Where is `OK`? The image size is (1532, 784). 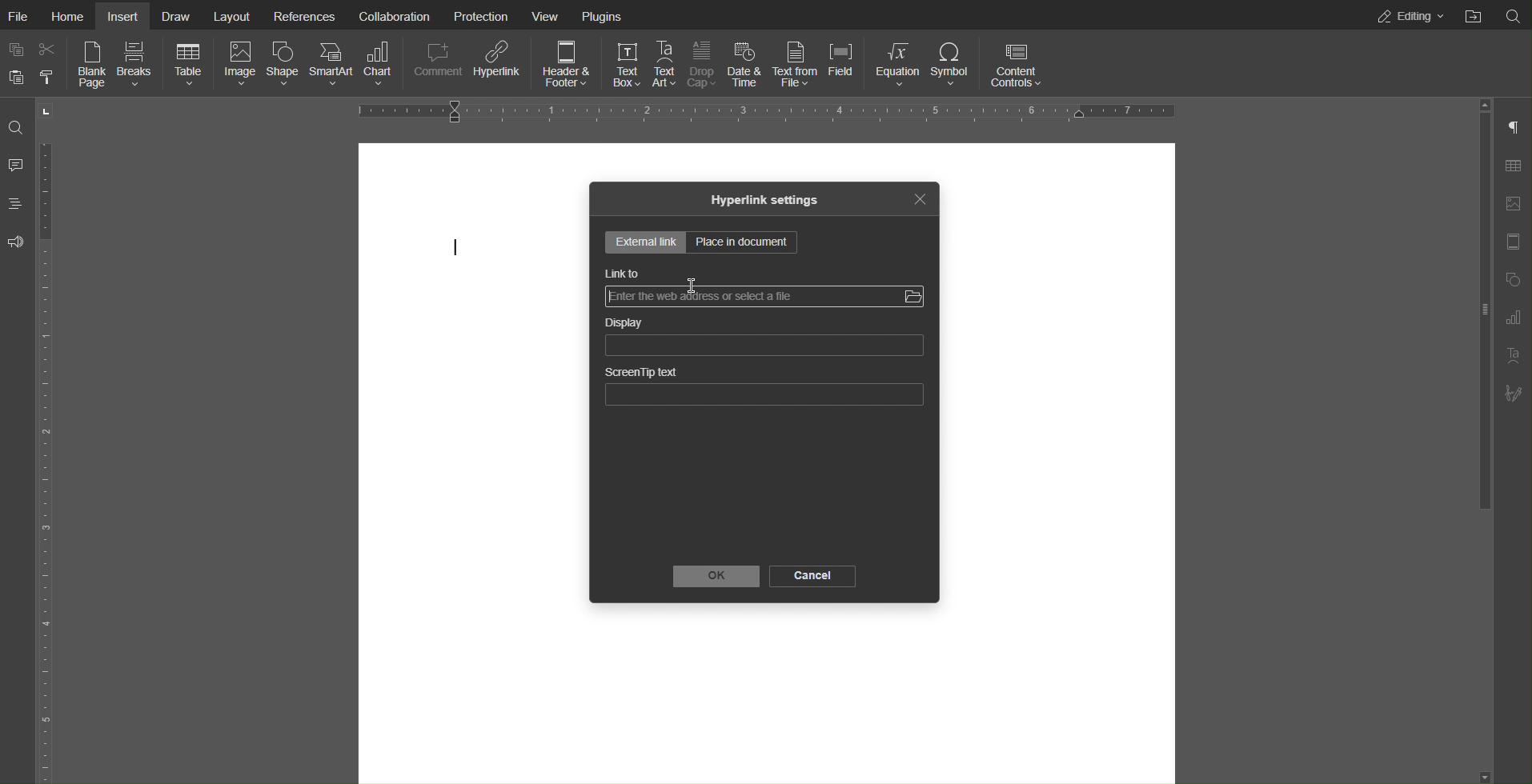 OK is located at coordinates (717, 577).